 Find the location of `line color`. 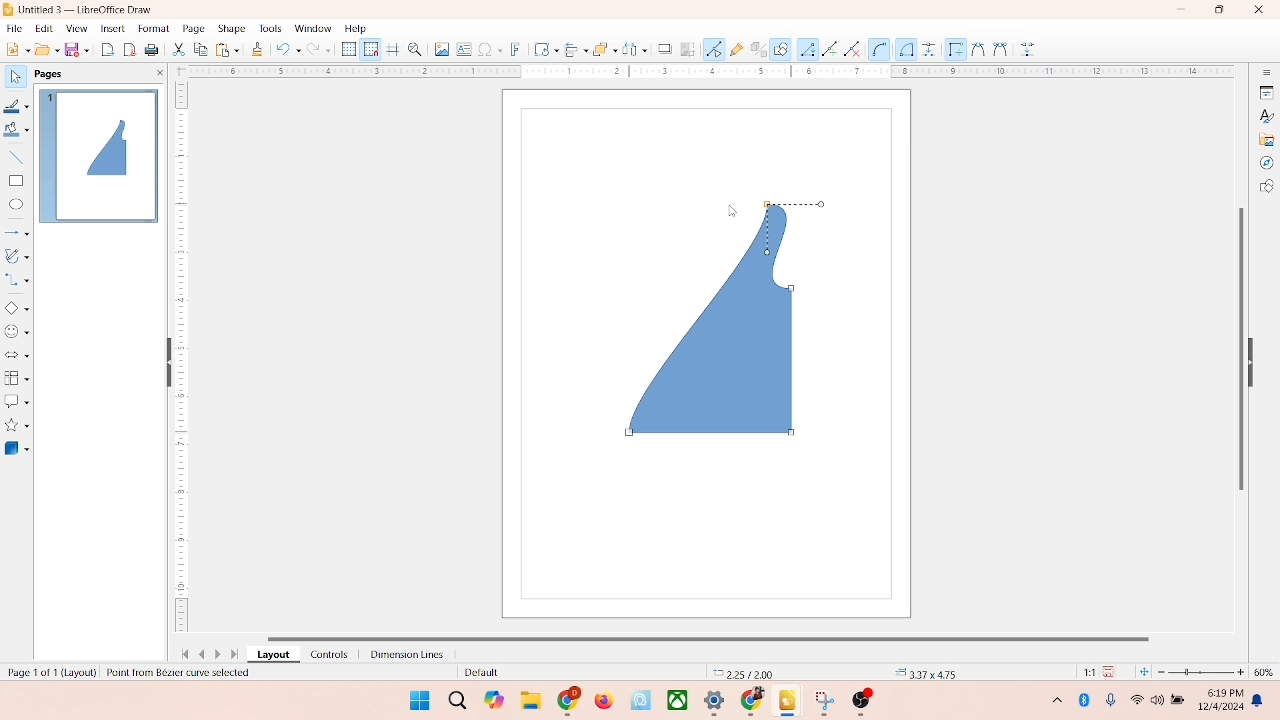

line color is located at coordinates (17, 106).